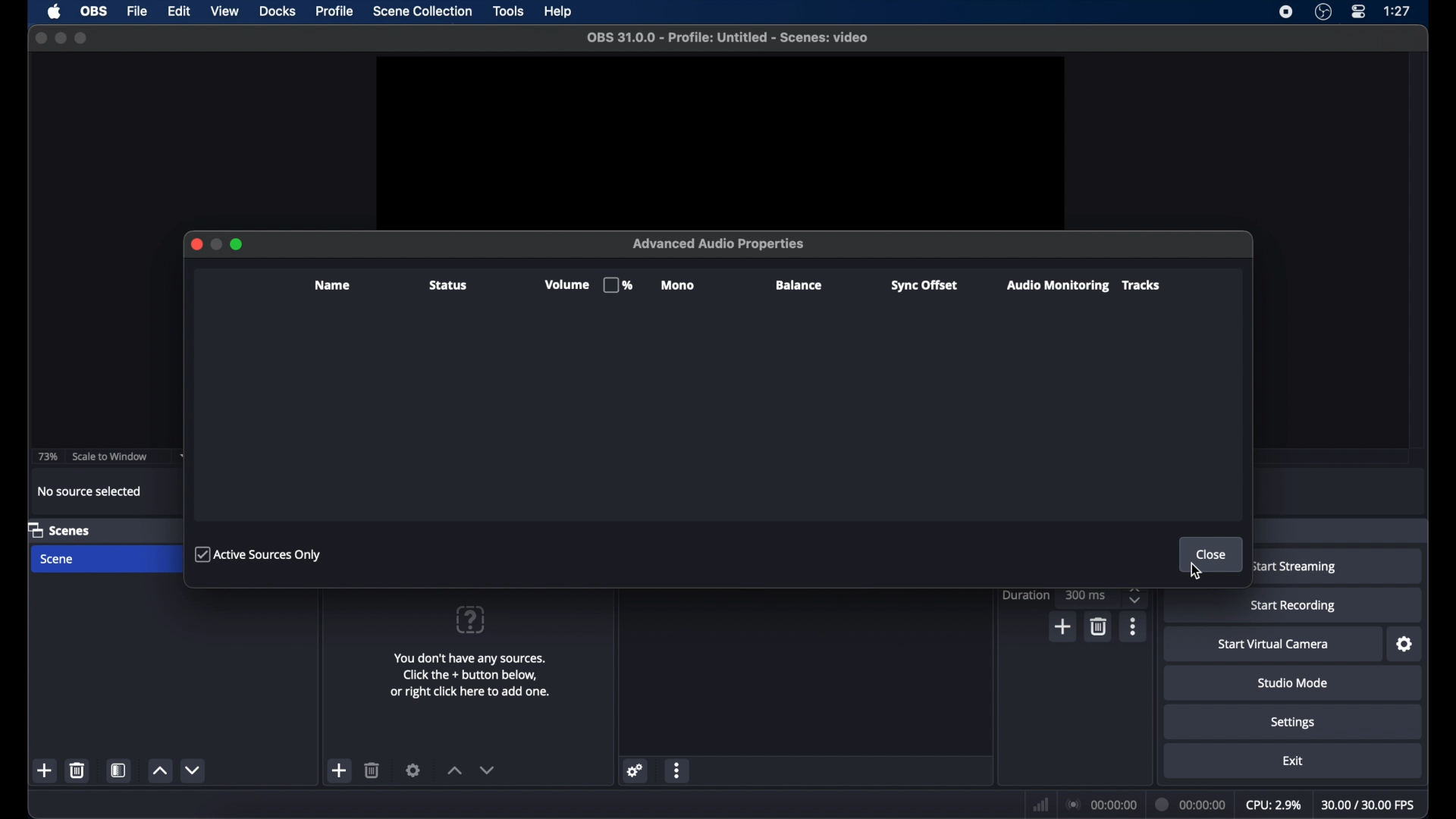  What do you see at coordinates (472, 675) in the screenshot?
I see `add sources information` at bounding box center [472, 675].